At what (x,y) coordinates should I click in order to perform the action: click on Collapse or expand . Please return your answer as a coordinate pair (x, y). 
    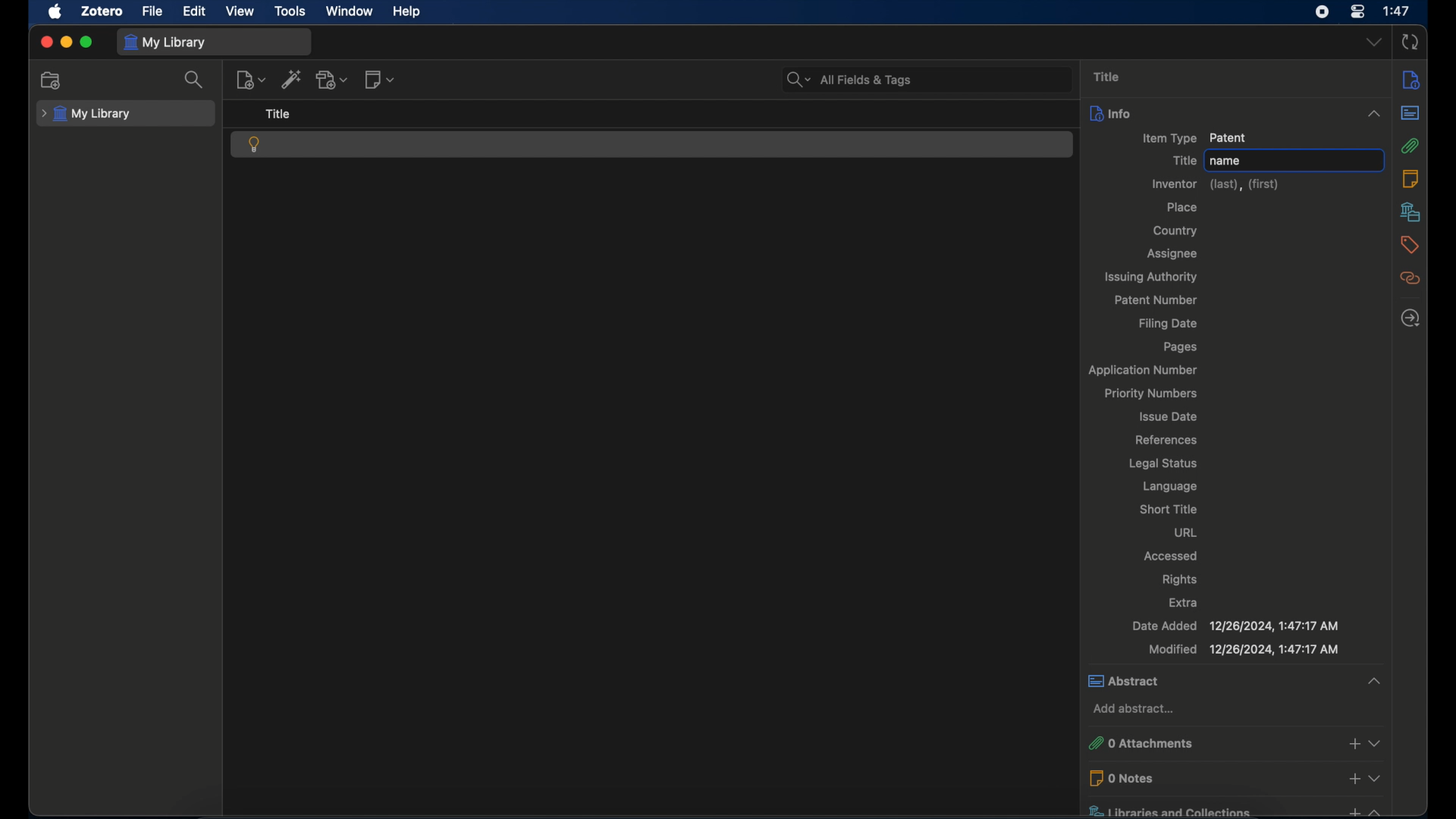
    Looking at the image, I should click on (1373, 681).